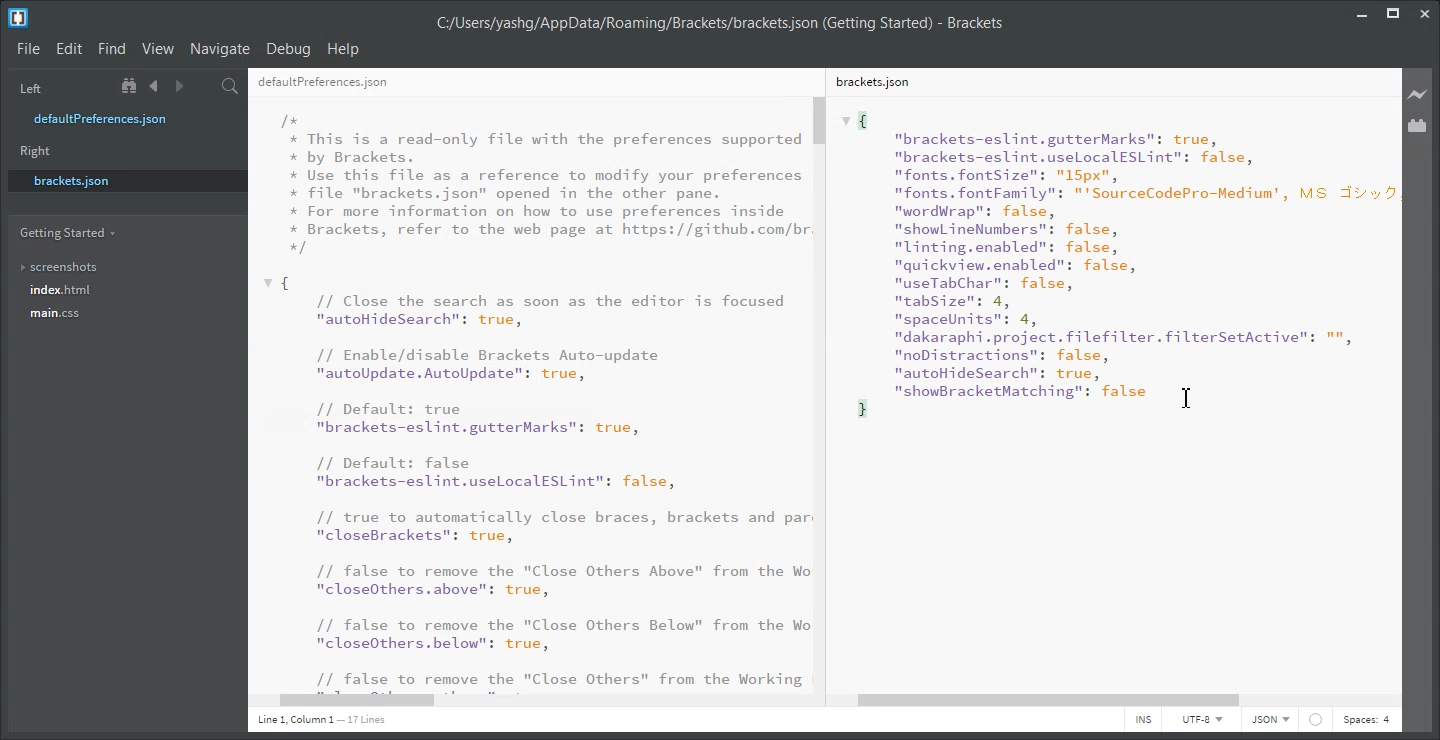 The image size is (1440, 740). I want to click on Extension Manager, so click(1418, 125).